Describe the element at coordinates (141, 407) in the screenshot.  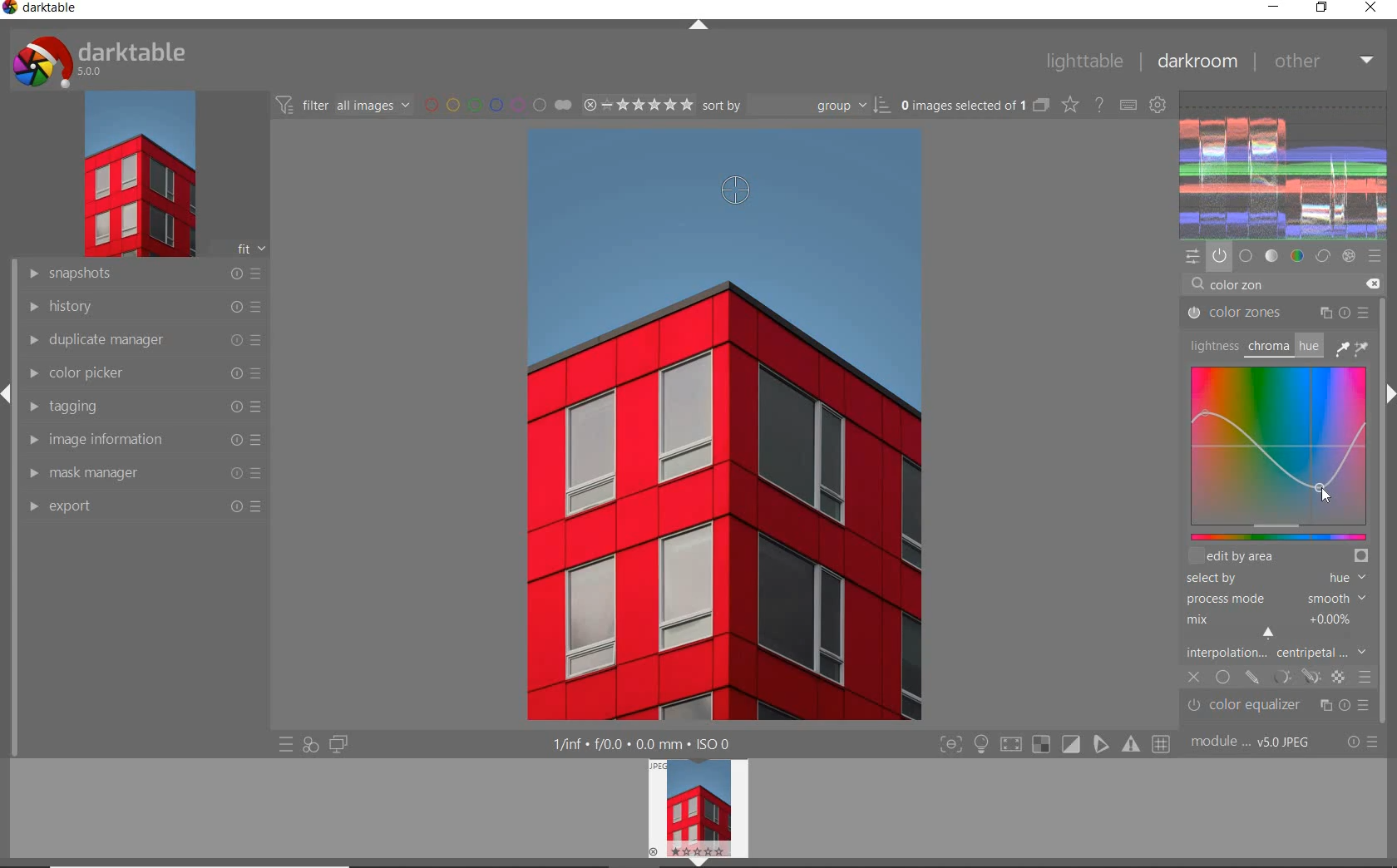
I see `tagging` at that location.